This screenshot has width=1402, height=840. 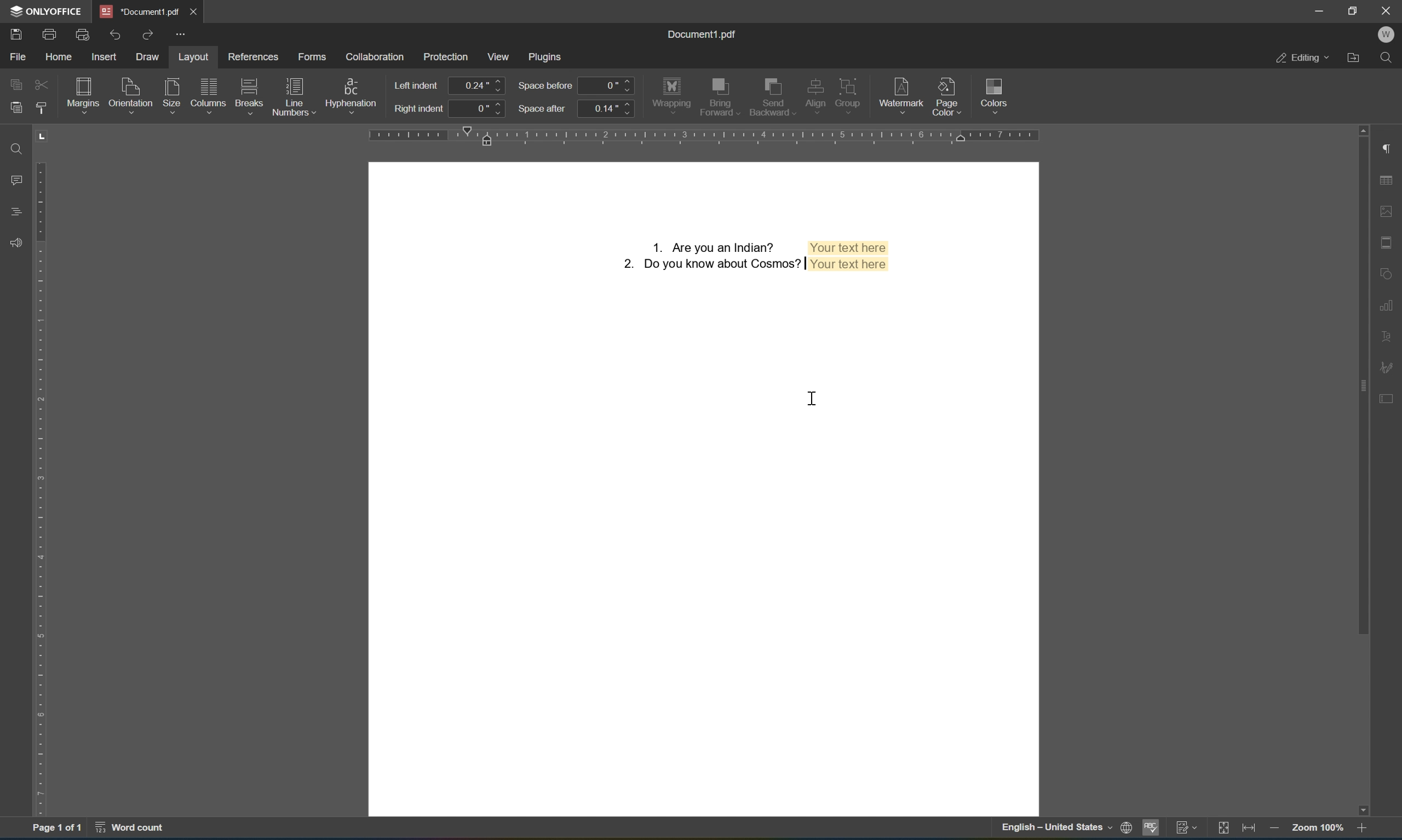 What do you see at coordinates (140, 11) in the screenshot?
I see `document1` at bounding box center [140, 11].